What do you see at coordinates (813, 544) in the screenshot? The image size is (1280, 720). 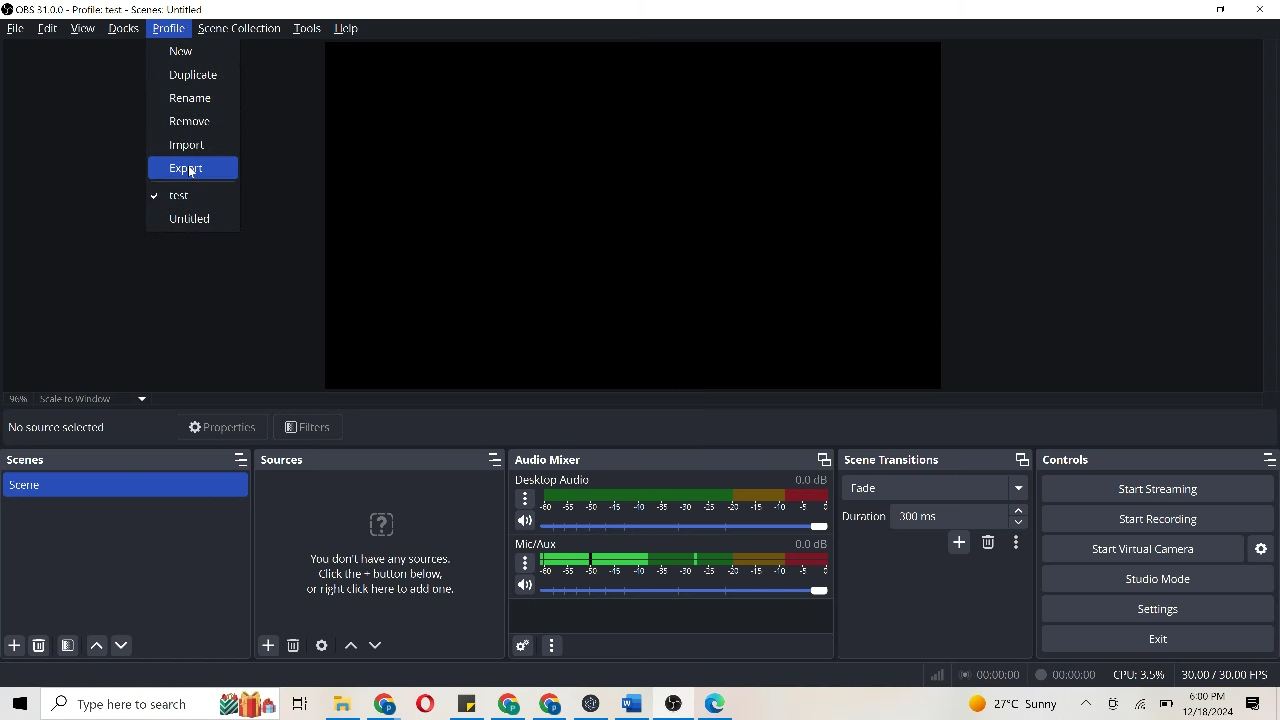 I see `0.0 dB` at bounding box center [813, 544].